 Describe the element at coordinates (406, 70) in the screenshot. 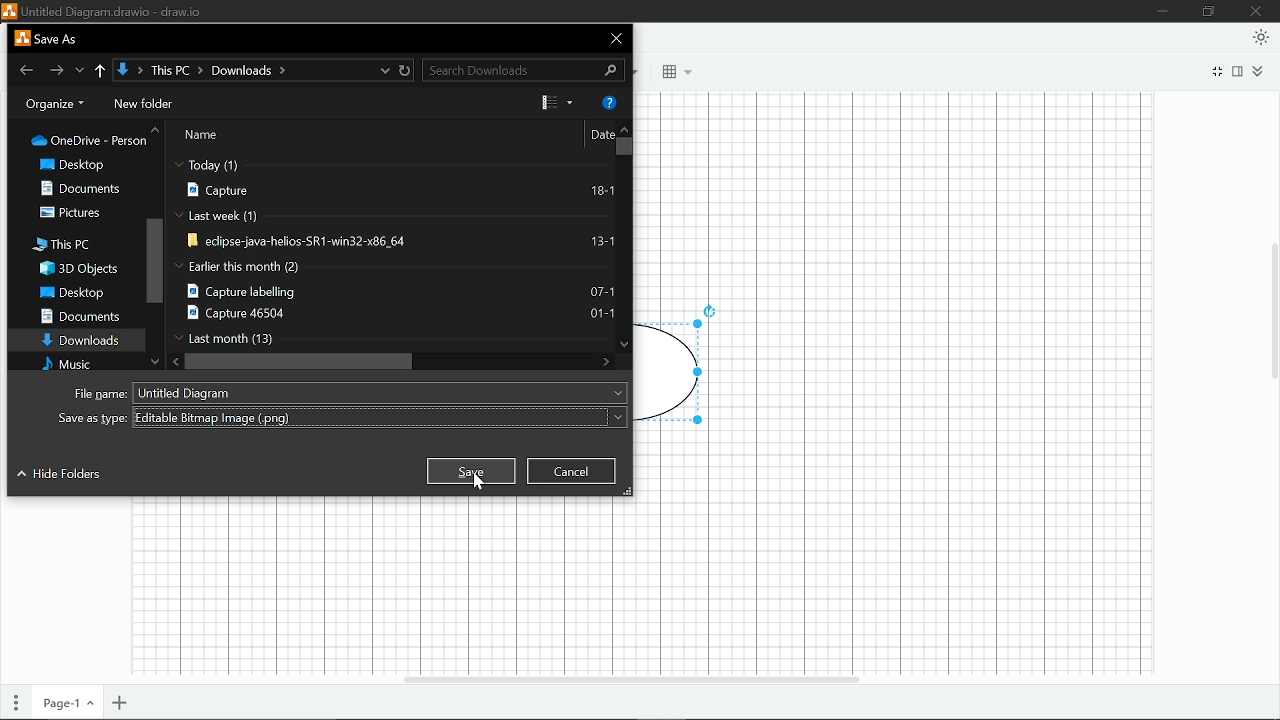

I see `refresh` at that location.